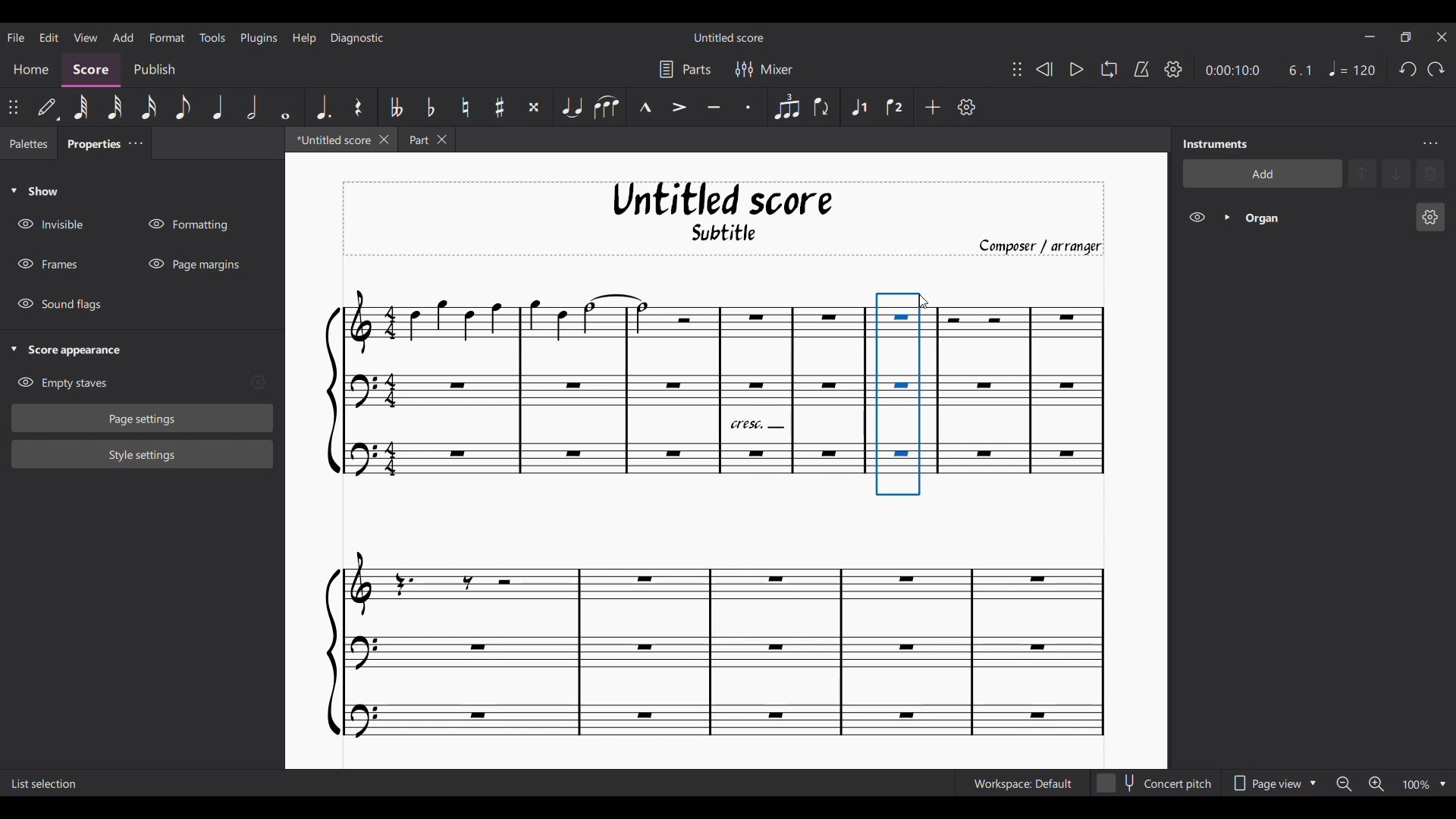 Image resolution: width=1456 pixels, height=819 pixels. Describe the element at coordinates (1406, 37) in the screenshot. I see `Show interface in a smaller tab` at that location.